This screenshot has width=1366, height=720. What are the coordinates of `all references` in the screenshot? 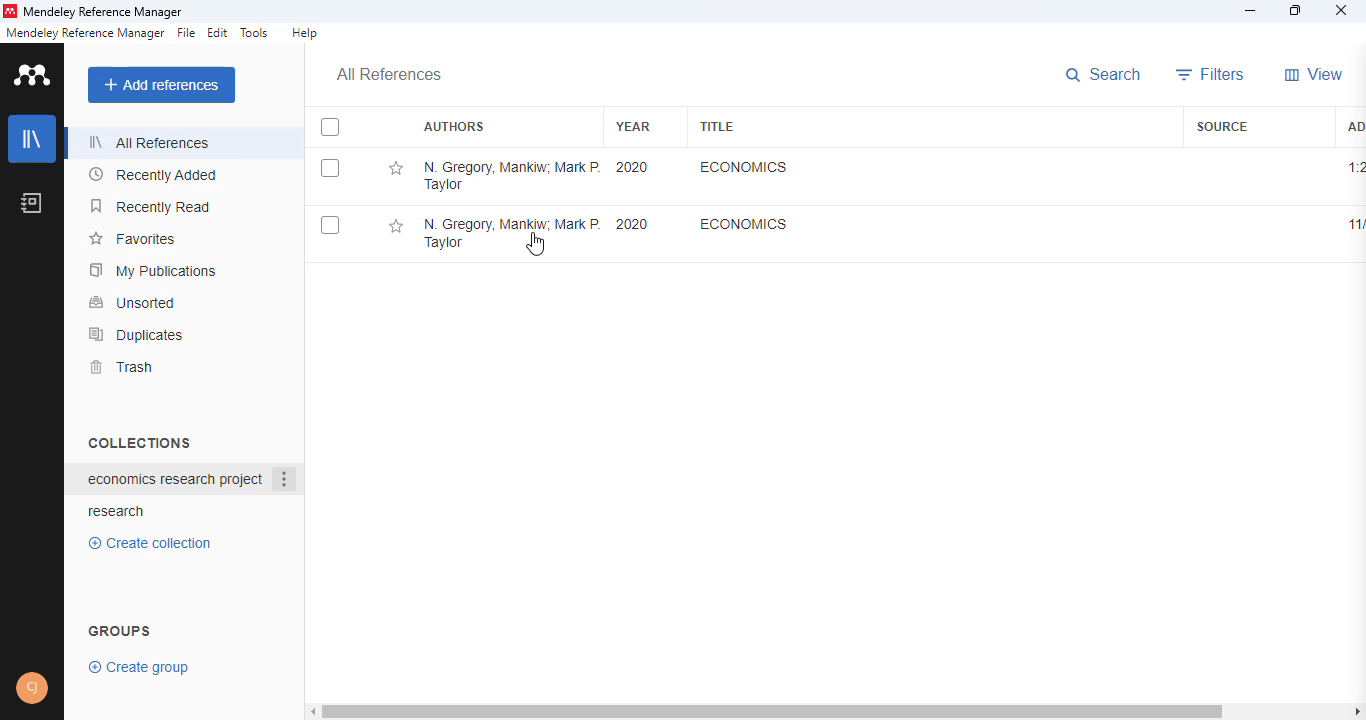 It's located at (389, 75).